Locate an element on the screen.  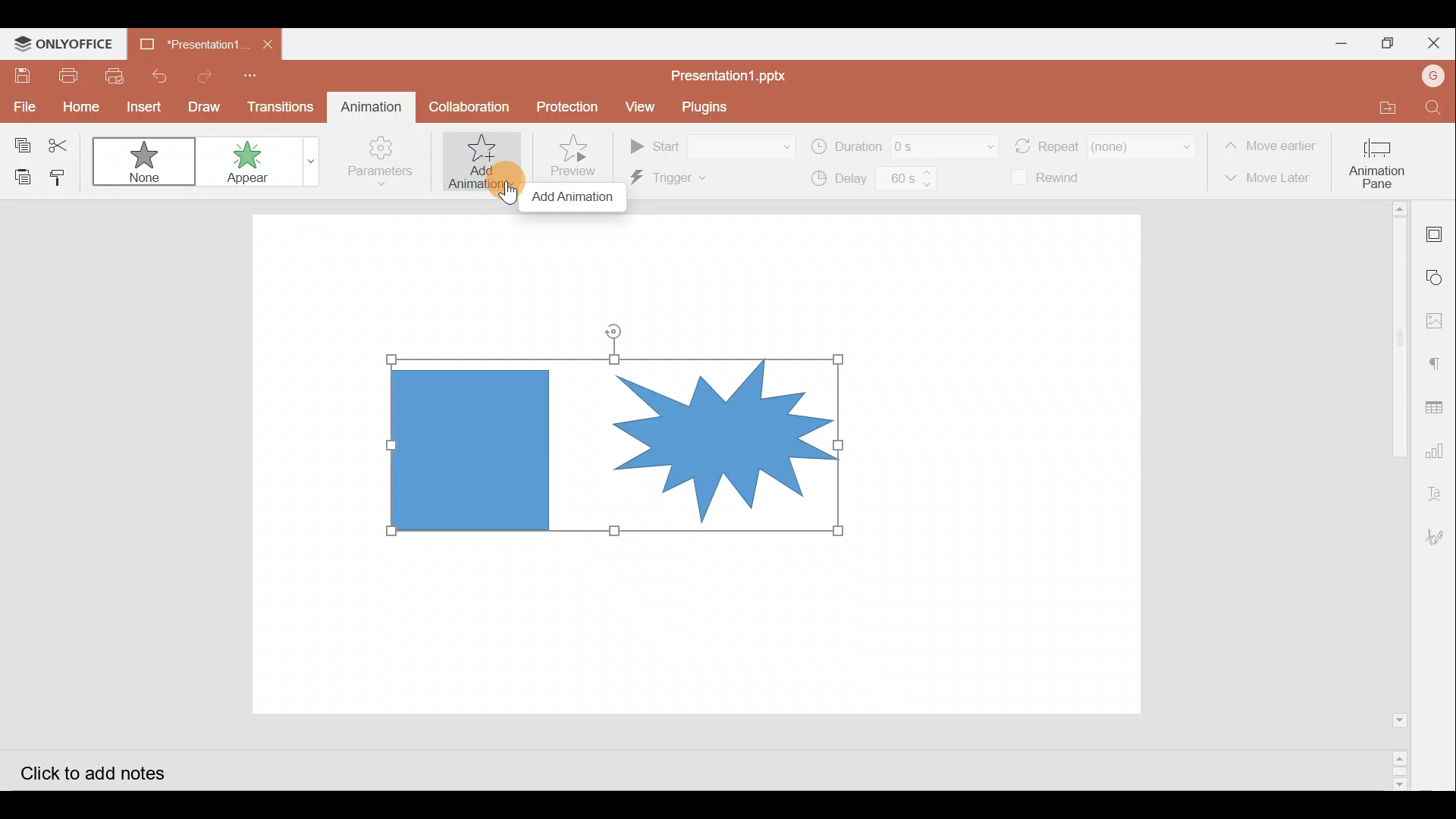
Redo is located at coordinates (205, 74).